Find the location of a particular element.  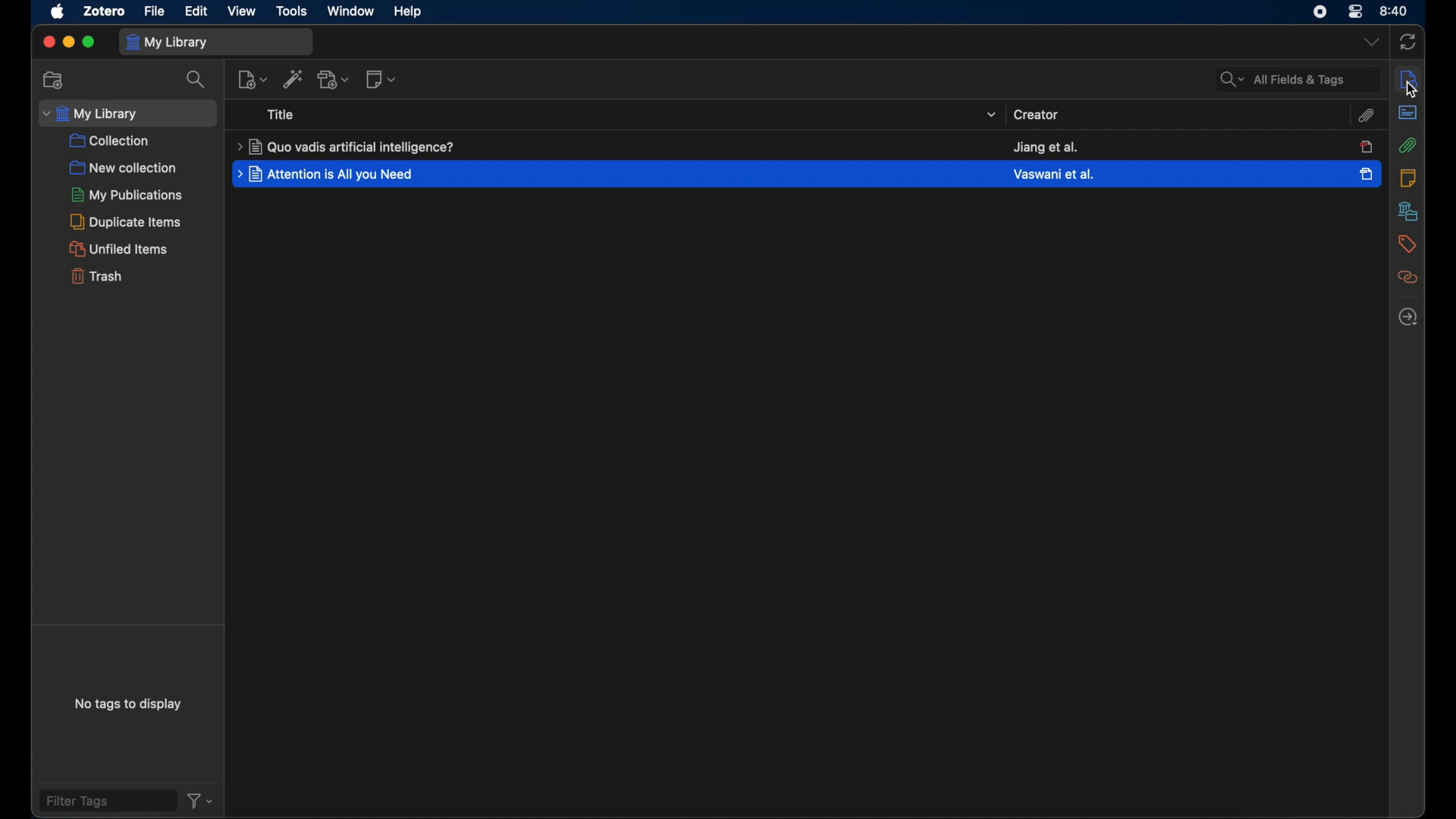

creator name is located at coordinates (1043, 146).